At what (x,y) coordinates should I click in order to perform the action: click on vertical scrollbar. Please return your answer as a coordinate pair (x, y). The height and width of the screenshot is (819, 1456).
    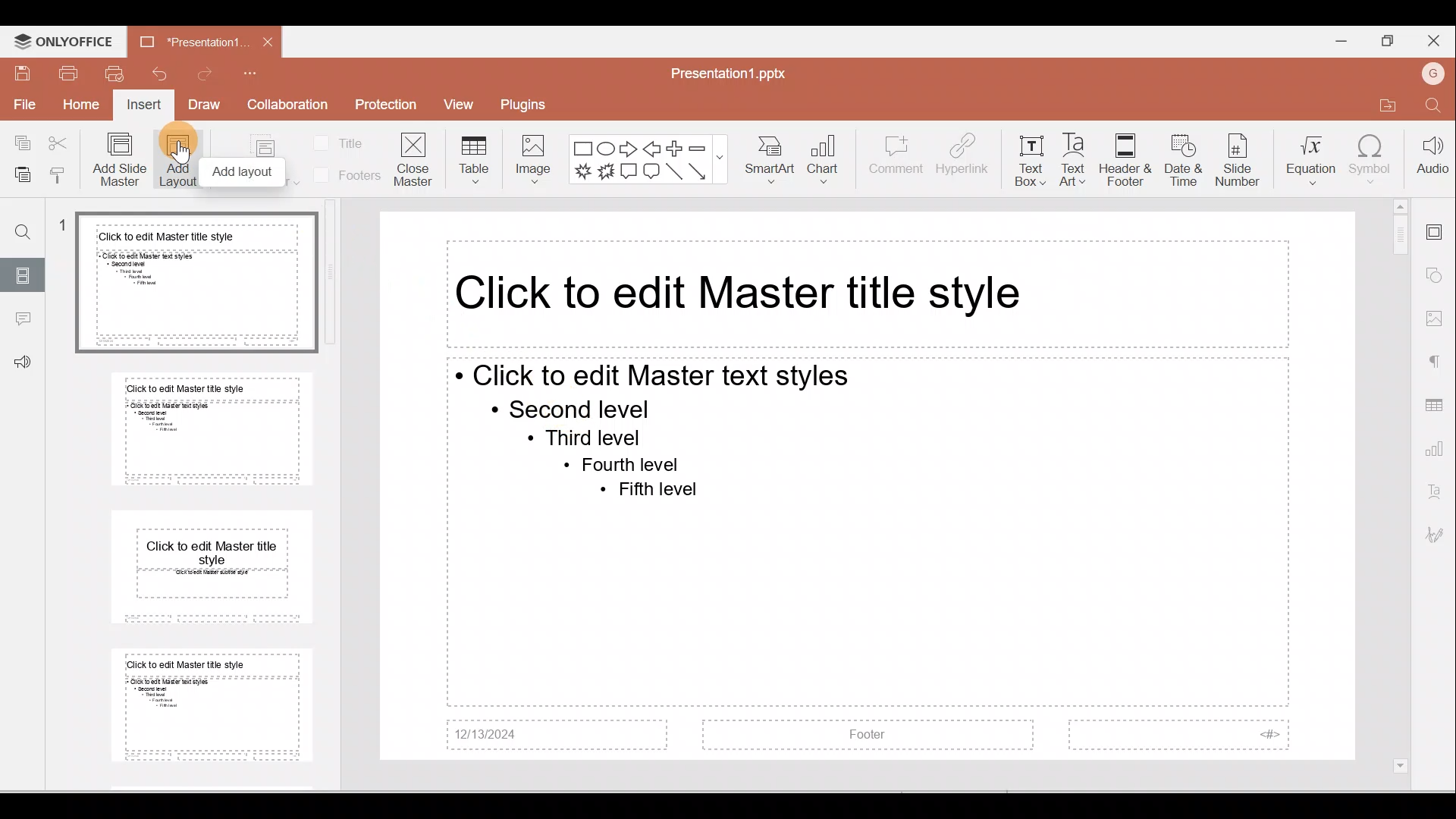
    Looking at the image, I should click on (331, 272).